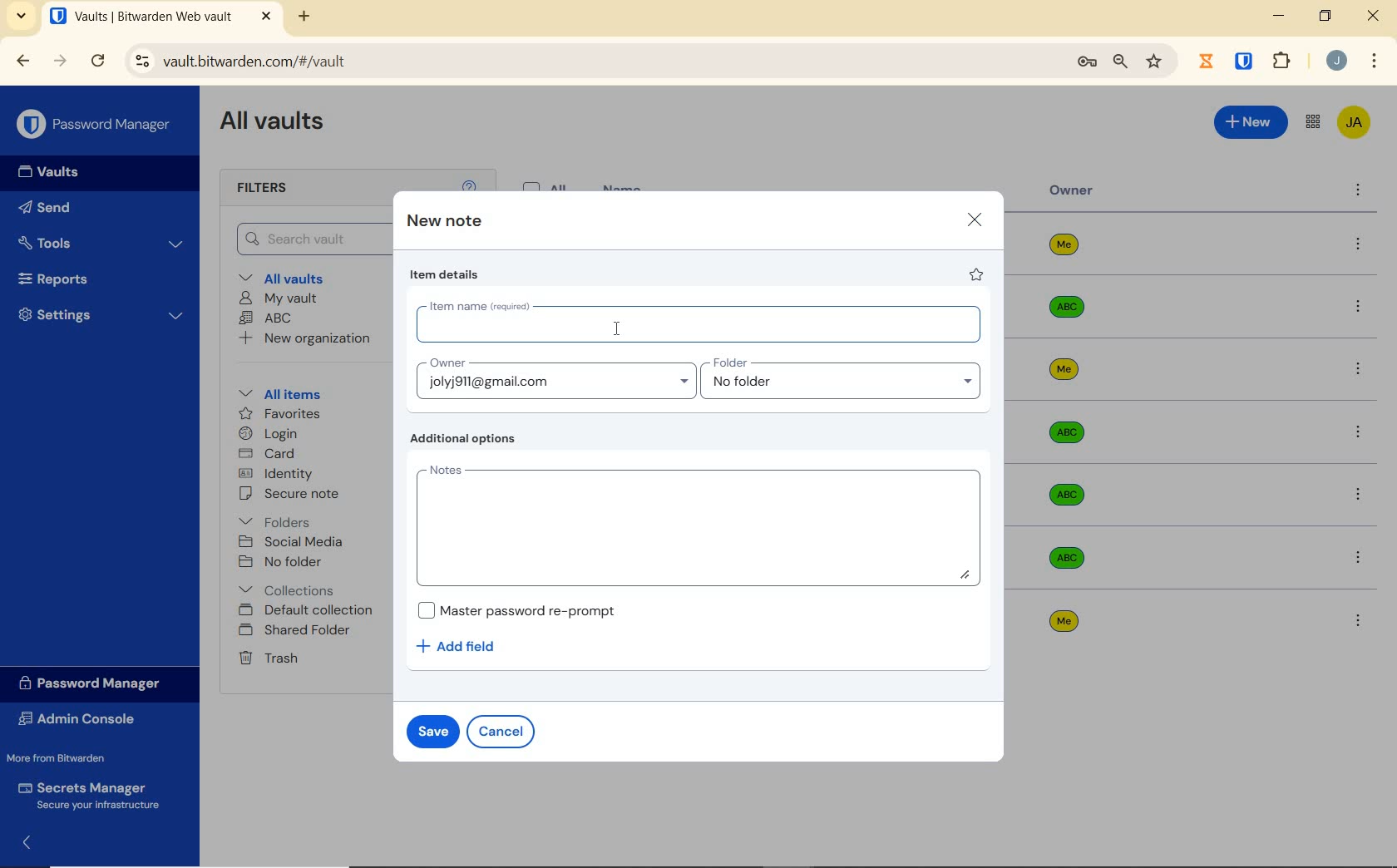 The width and height of the screenshot is (1397, 868). I want to click on Add Notes, so click(701, 525).